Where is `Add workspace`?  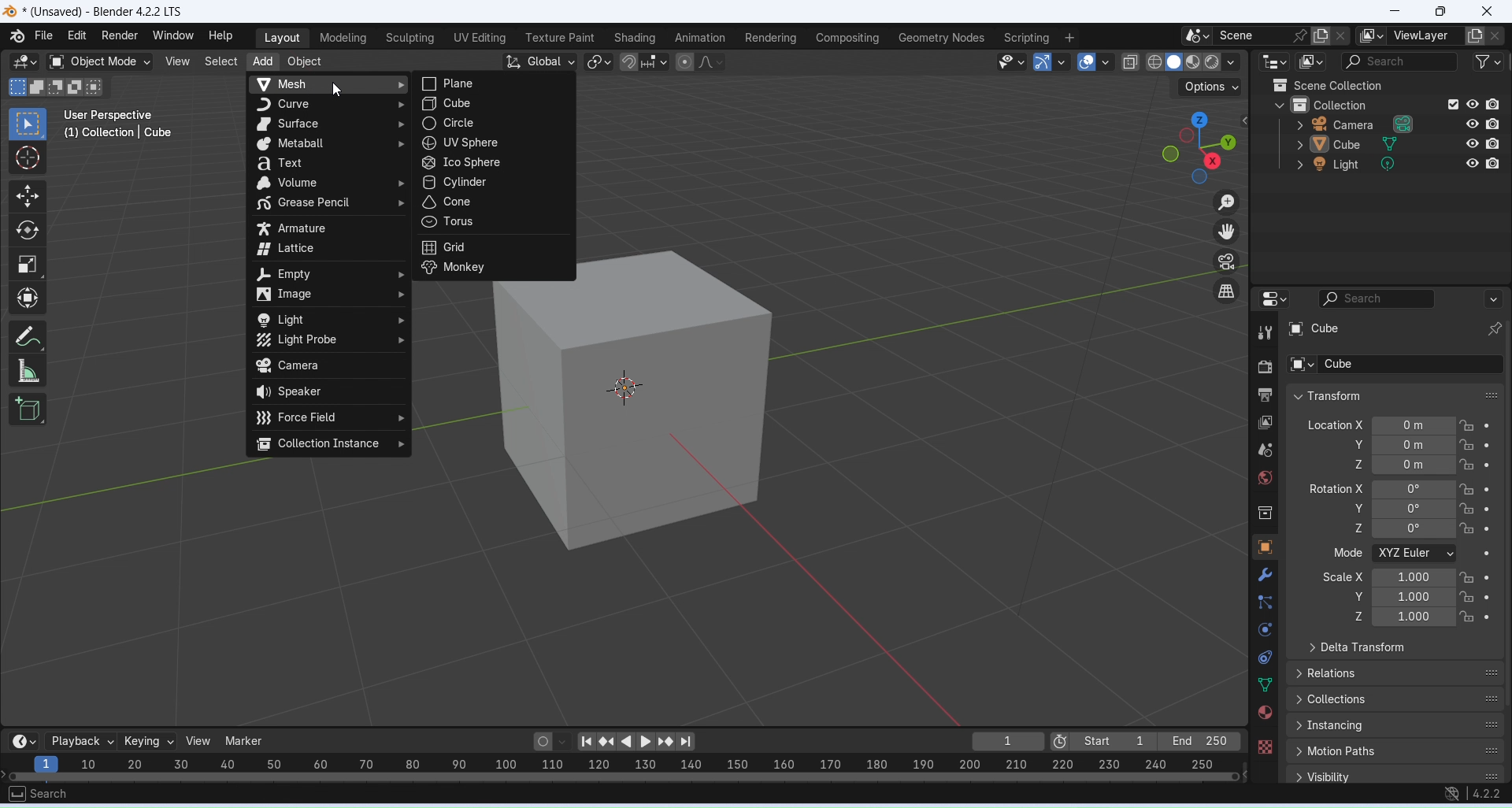
Add workspace is located at coordinates (1069, 39).